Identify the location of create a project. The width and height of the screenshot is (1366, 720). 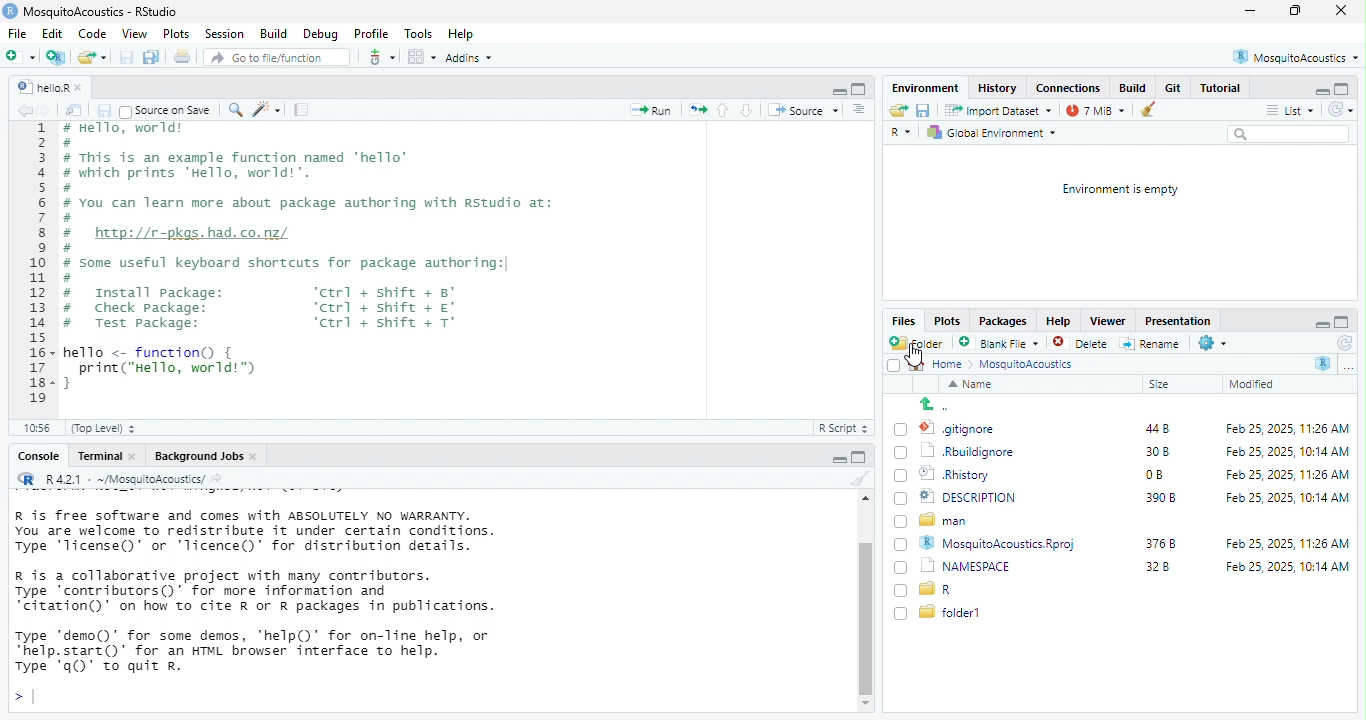
(57, 57).